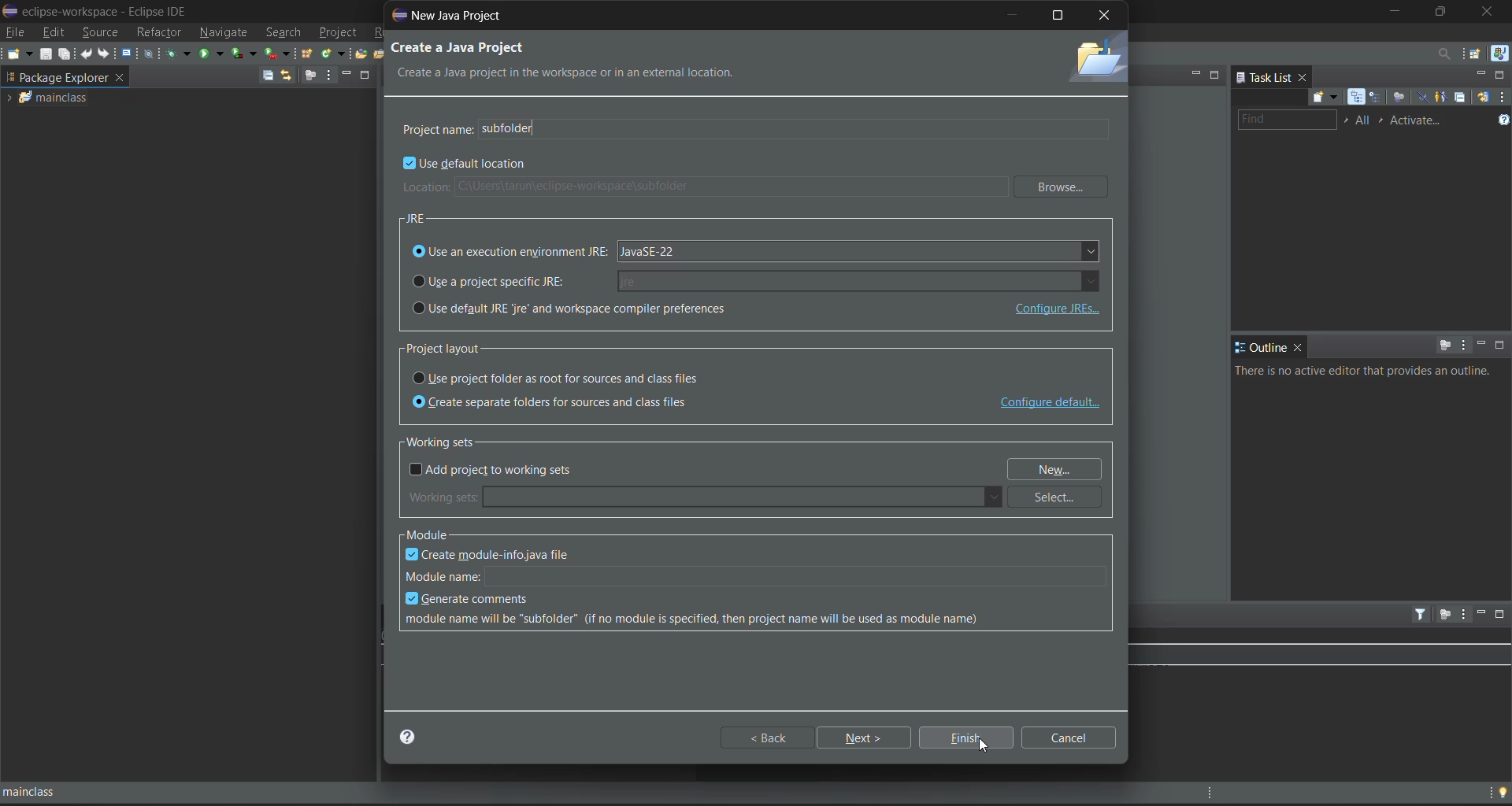 The width and height of the screenshot is (1512, 806). I want to click on open task, so click(382, 52).